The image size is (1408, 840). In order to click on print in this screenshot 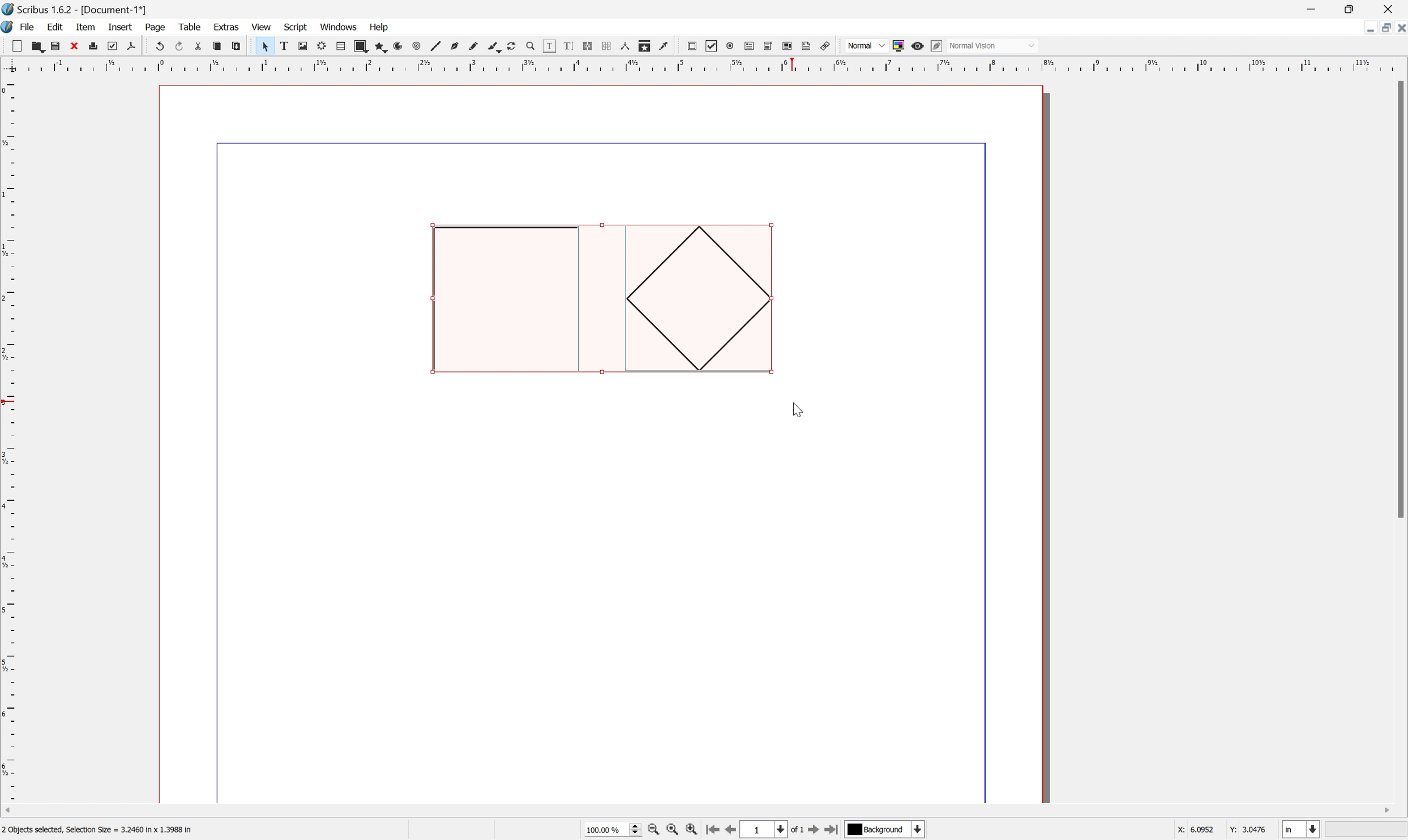, I will do `click(92, 46)`.